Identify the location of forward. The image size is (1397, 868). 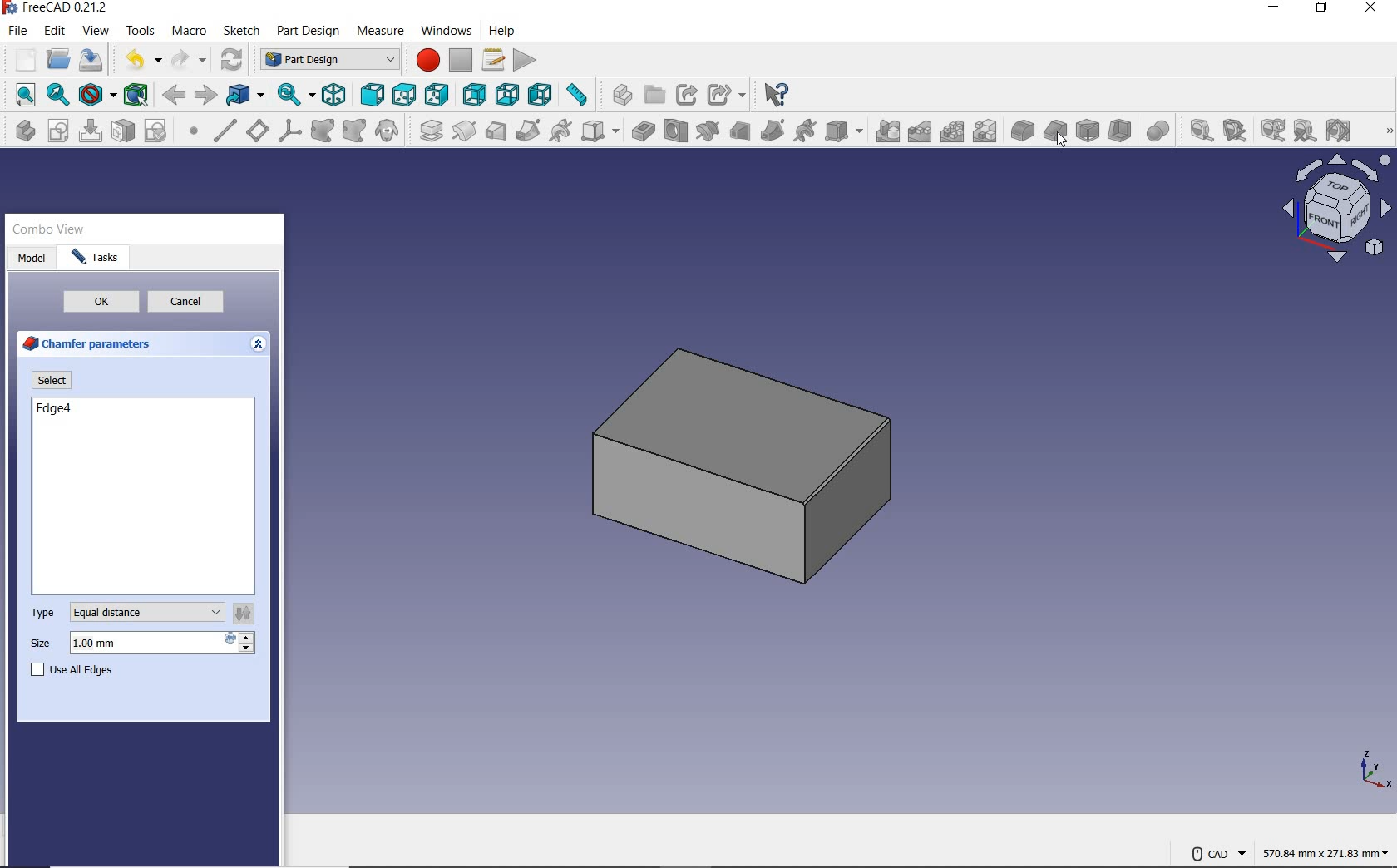
(206, 96).